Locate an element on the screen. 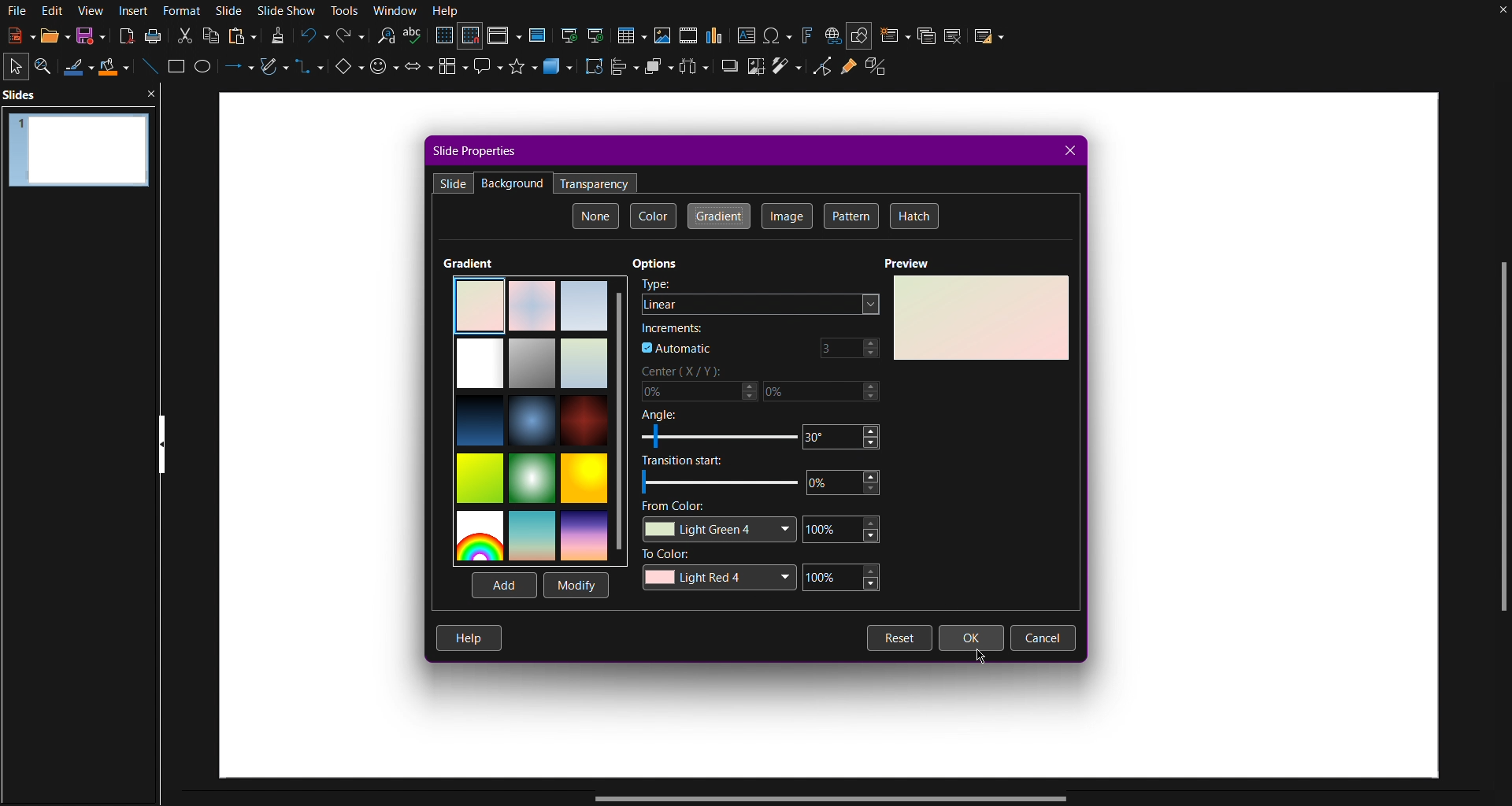 This screenshot has width=1512, height=806. Crop images is located at coordinates (755, 72).